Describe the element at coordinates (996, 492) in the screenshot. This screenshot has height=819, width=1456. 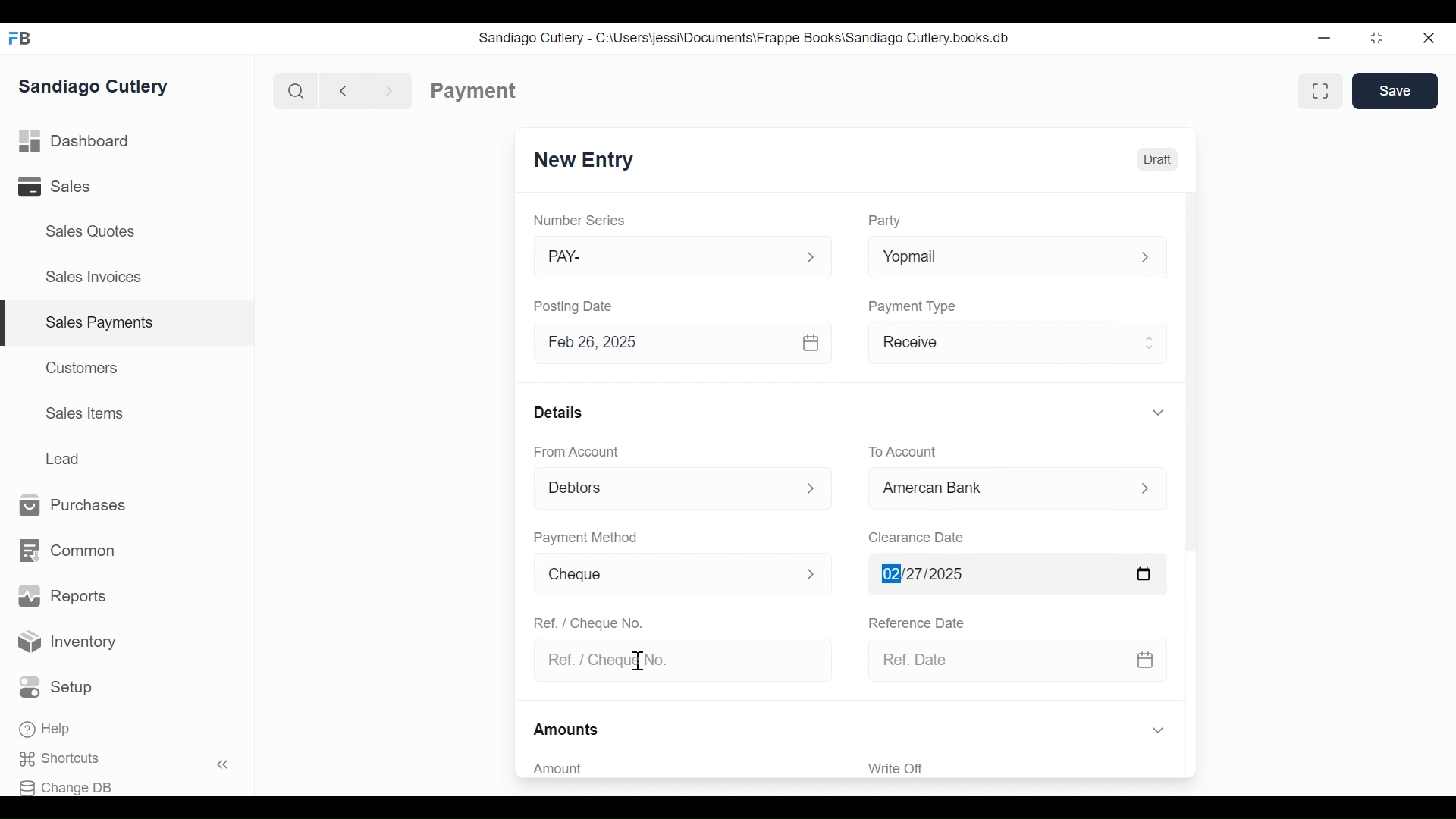
I see `Cash` at that location.